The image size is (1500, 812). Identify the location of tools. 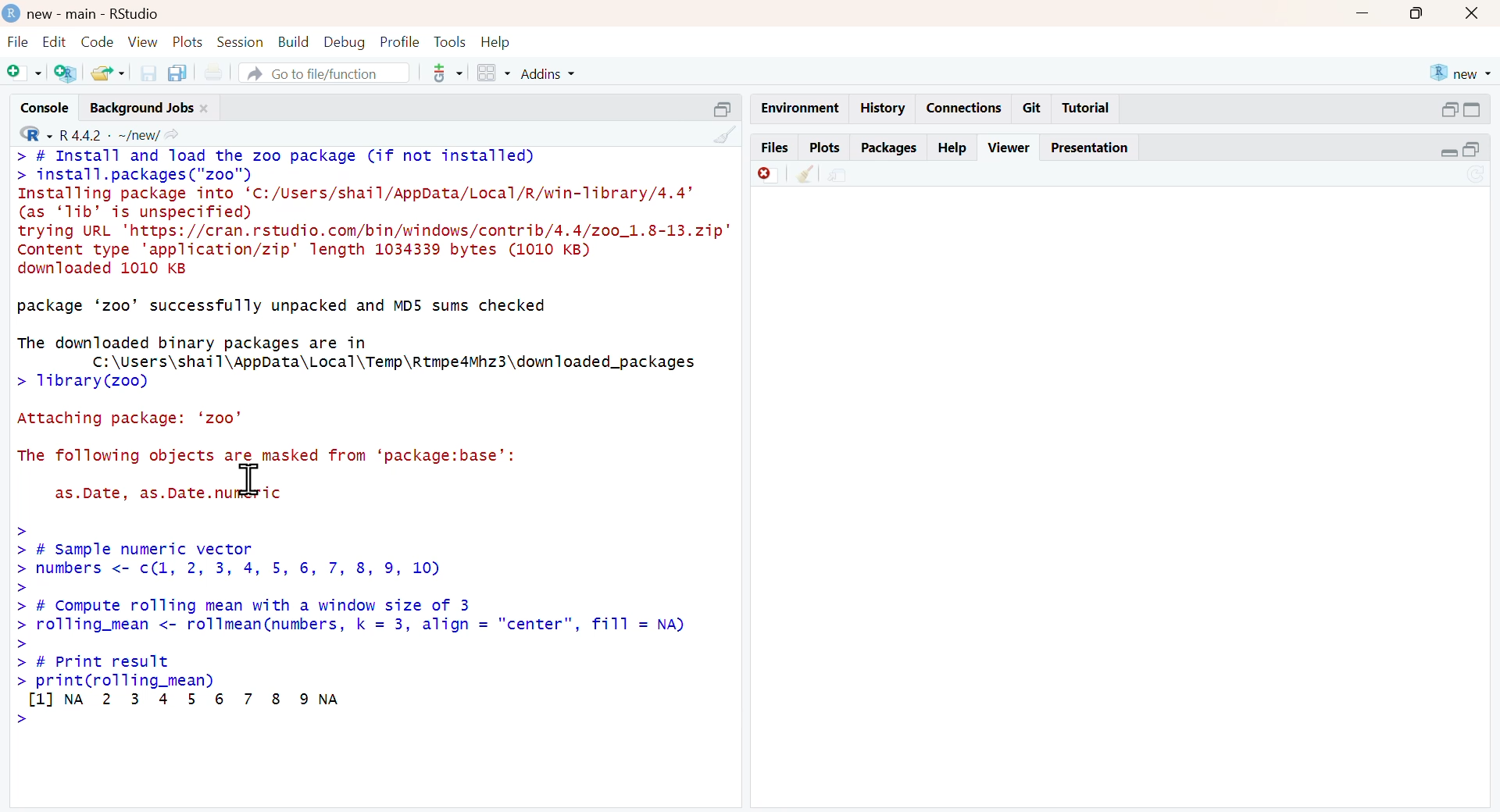
(452, 44).